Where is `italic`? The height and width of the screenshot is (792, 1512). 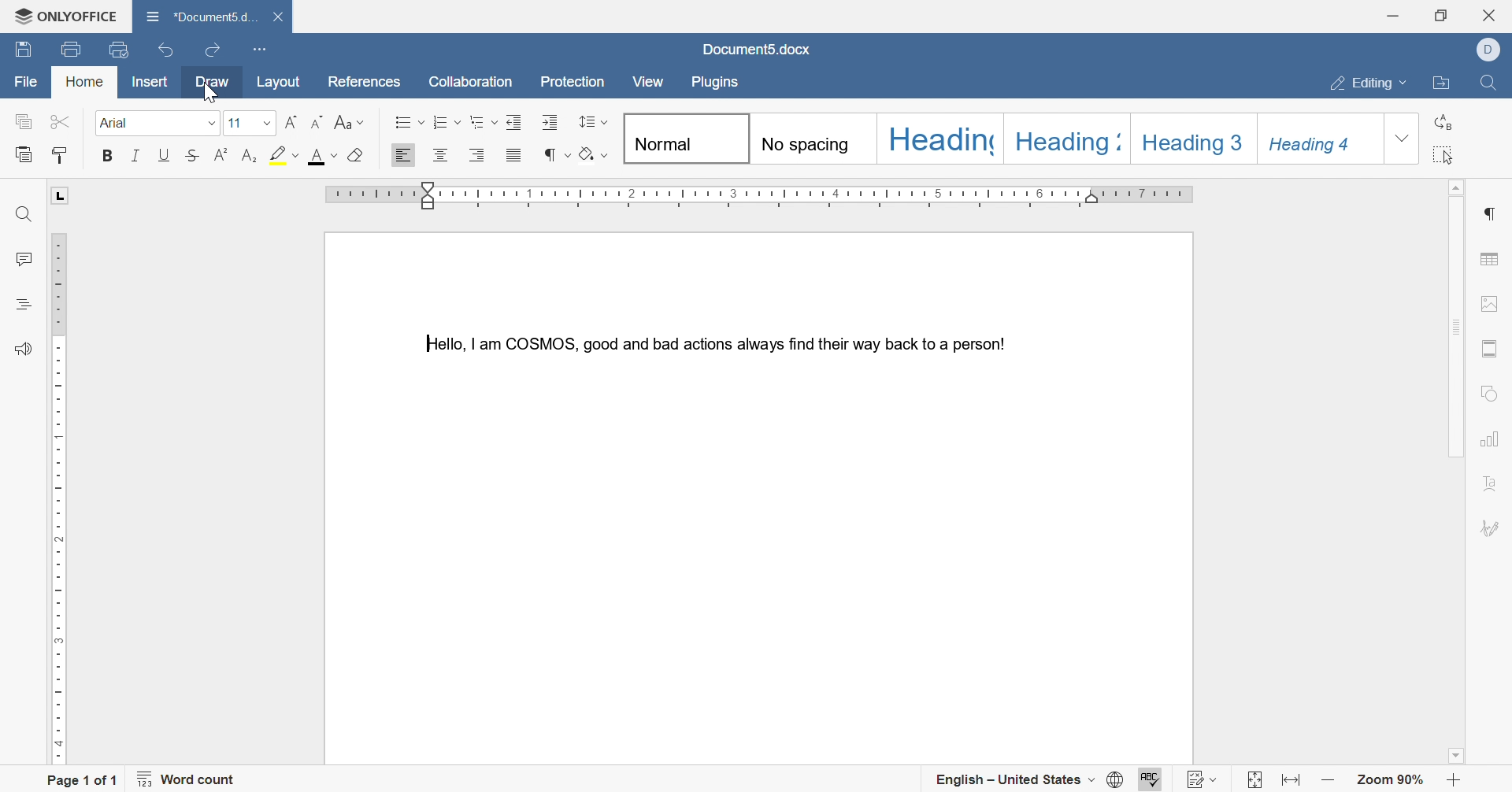 italic is located at coordinates (139, 155).